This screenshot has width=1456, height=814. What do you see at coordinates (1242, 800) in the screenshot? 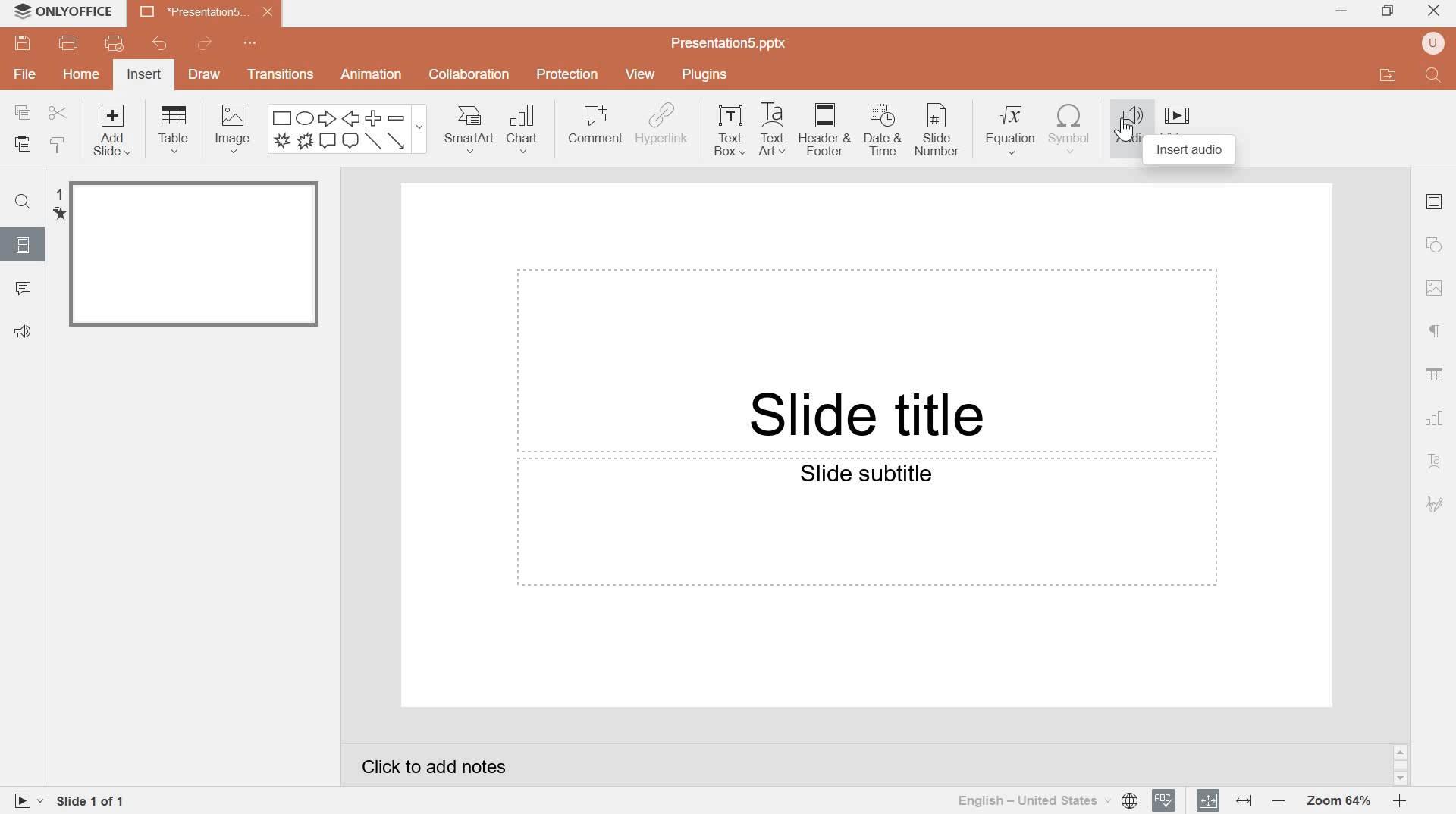
I see `Fit to width` at bounding box center [1242, 800].